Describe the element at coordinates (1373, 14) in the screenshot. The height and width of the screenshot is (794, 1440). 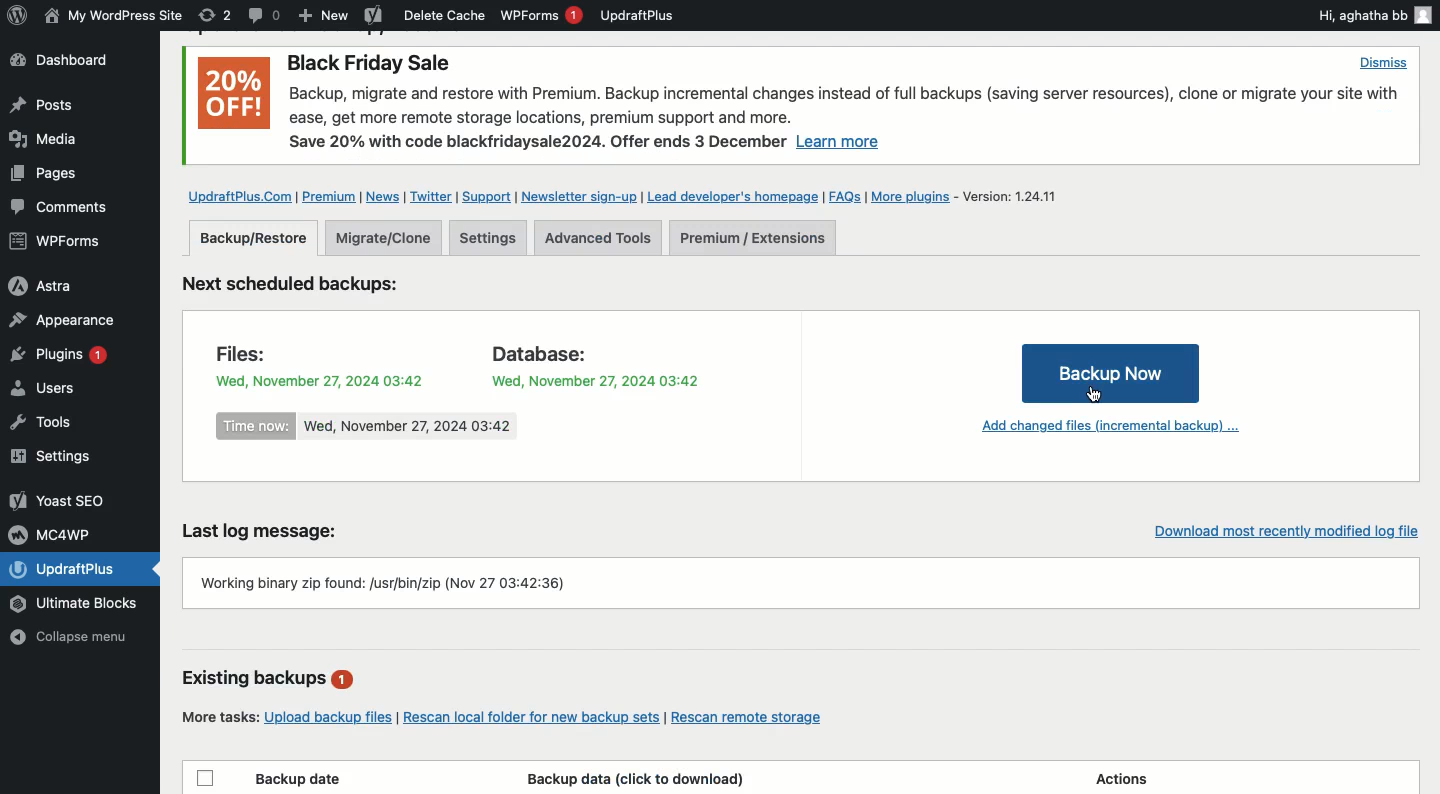
I see `Hi, aghatha bb` at that location.